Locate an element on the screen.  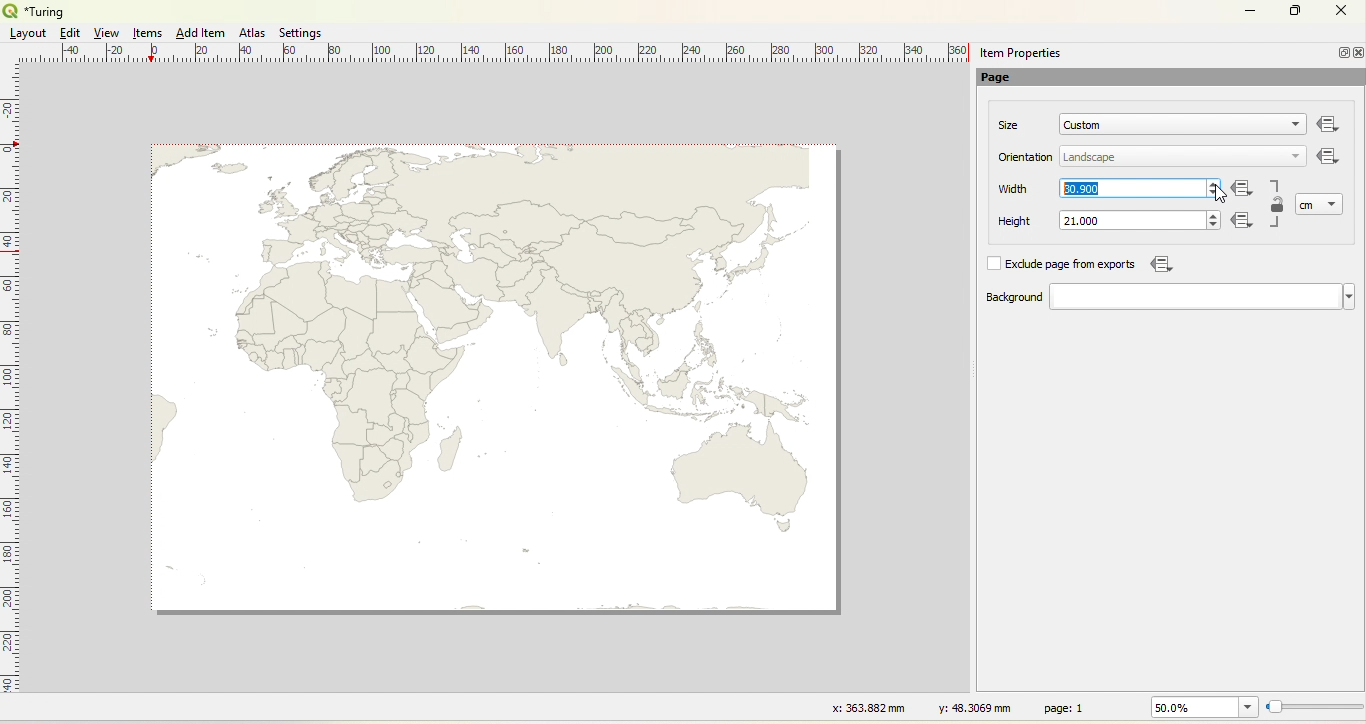
dropdown is located at coordinates (1334, 203).